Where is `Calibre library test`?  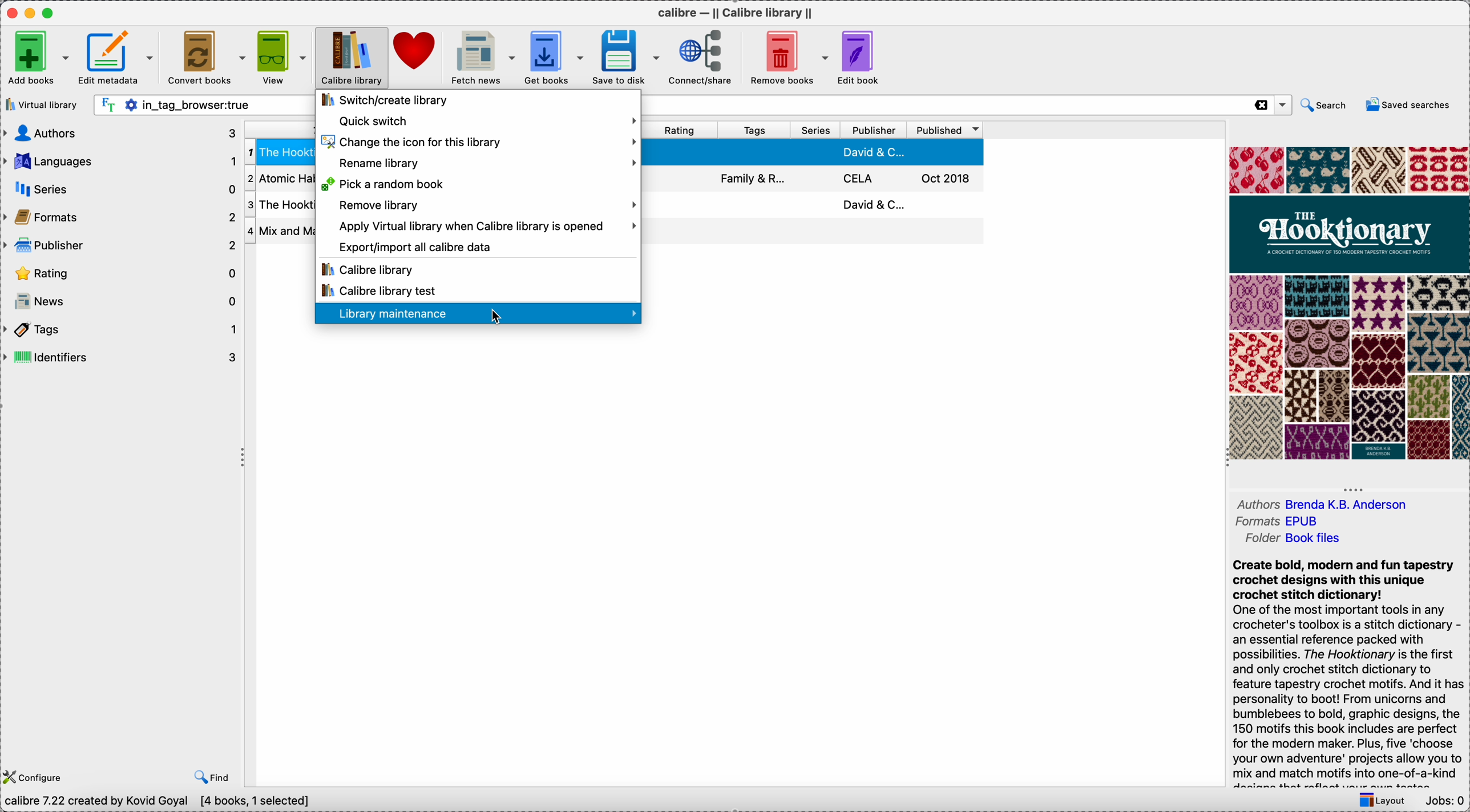 Calibre library test is located at coordinates (380, 290).